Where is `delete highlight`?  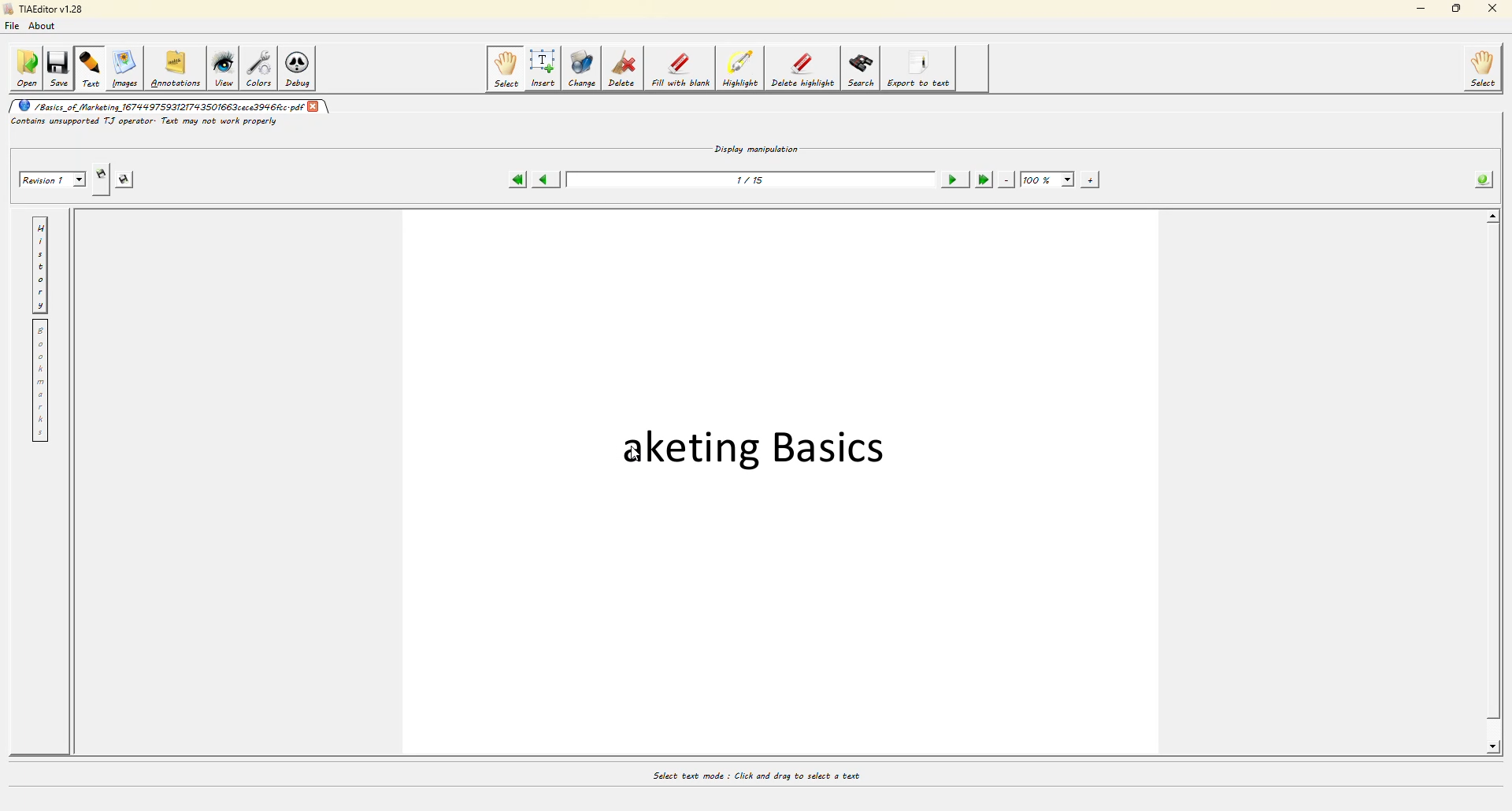
delete highlight is located at coordinates (804, 70).